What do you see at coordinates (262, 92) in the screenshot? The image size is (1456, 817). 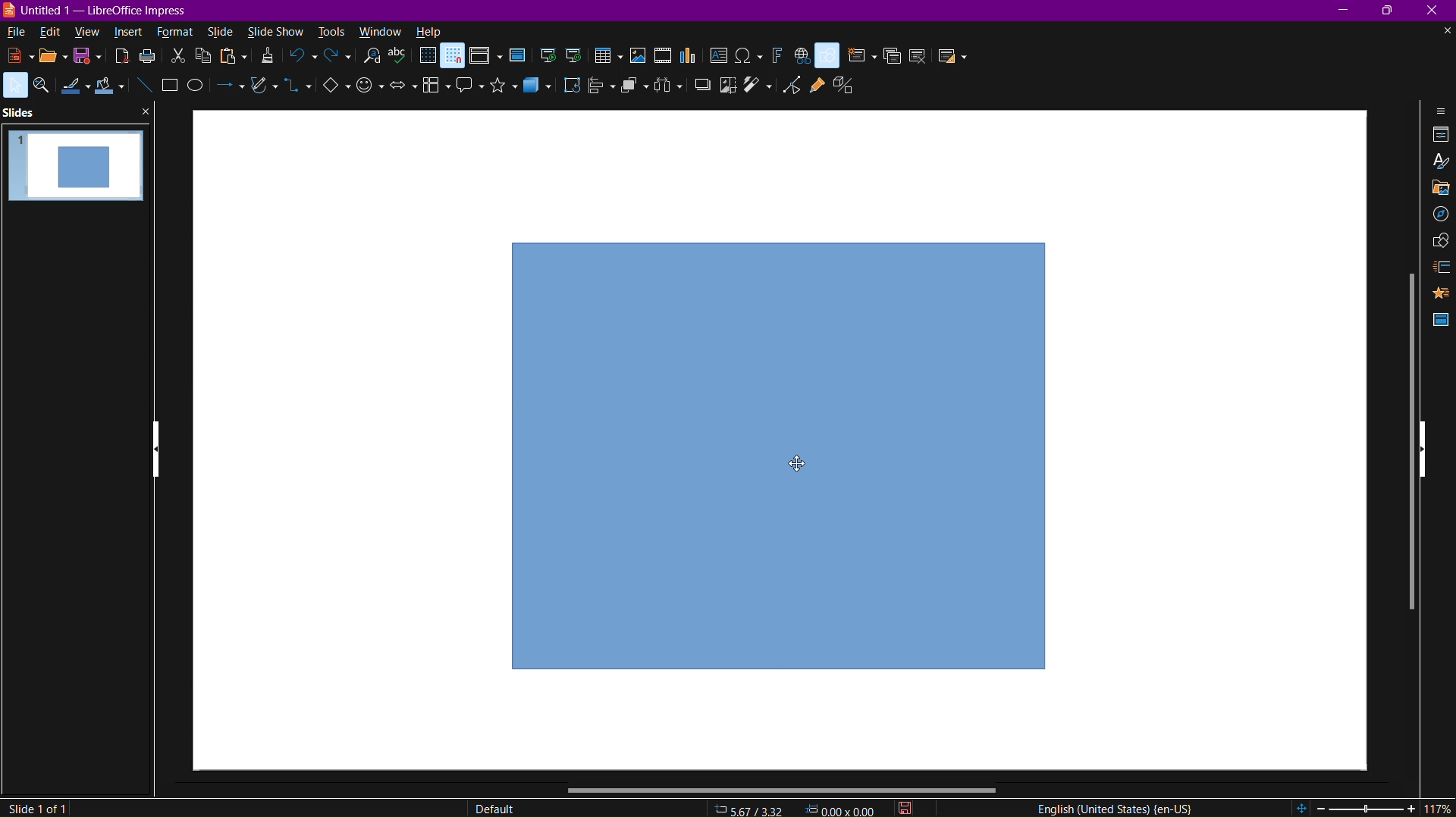 I see `Curves and Polygons` at bounding box center [262, 92].